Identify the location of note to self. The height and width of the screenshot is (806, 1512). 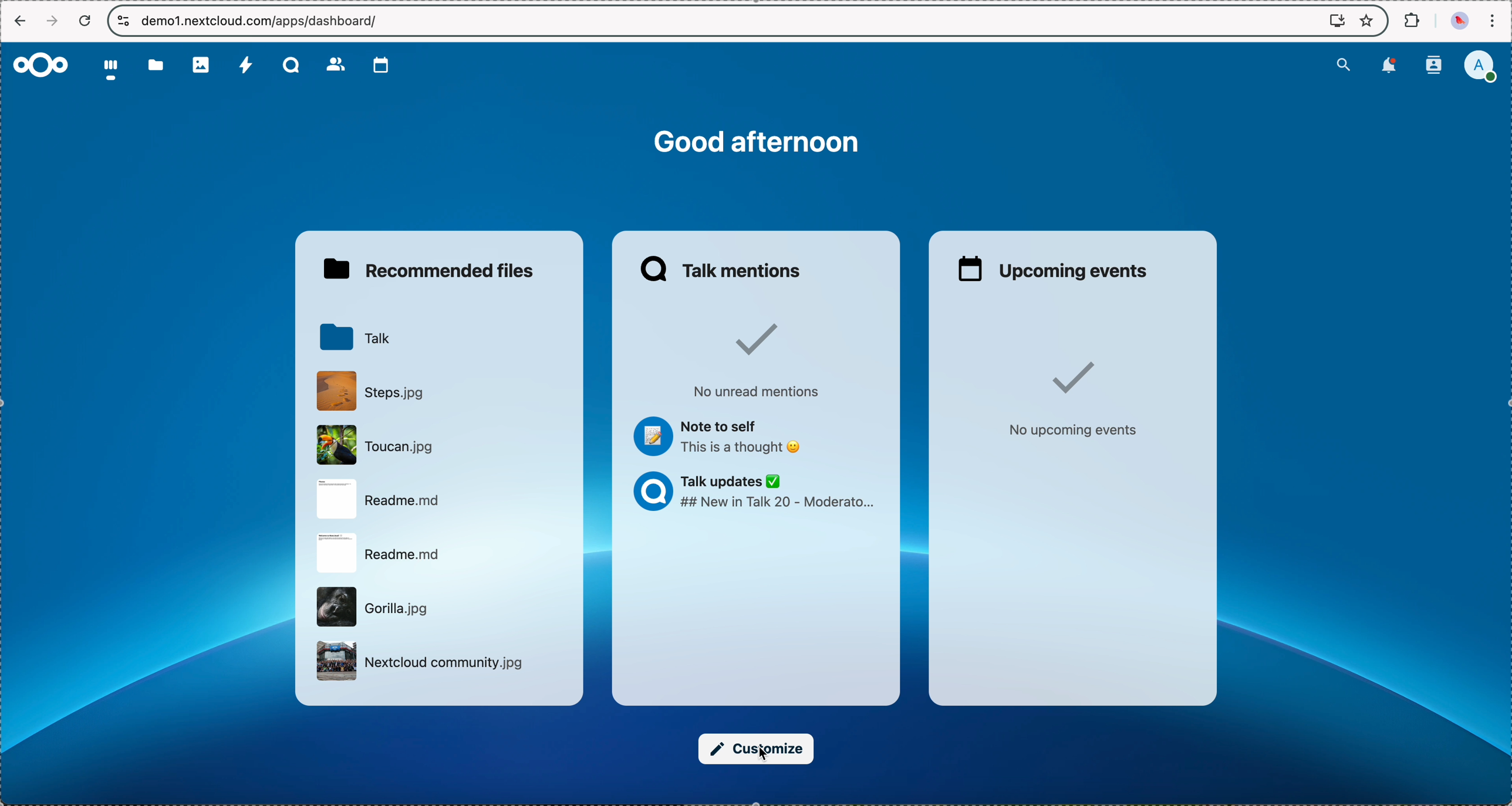
(719, 438).